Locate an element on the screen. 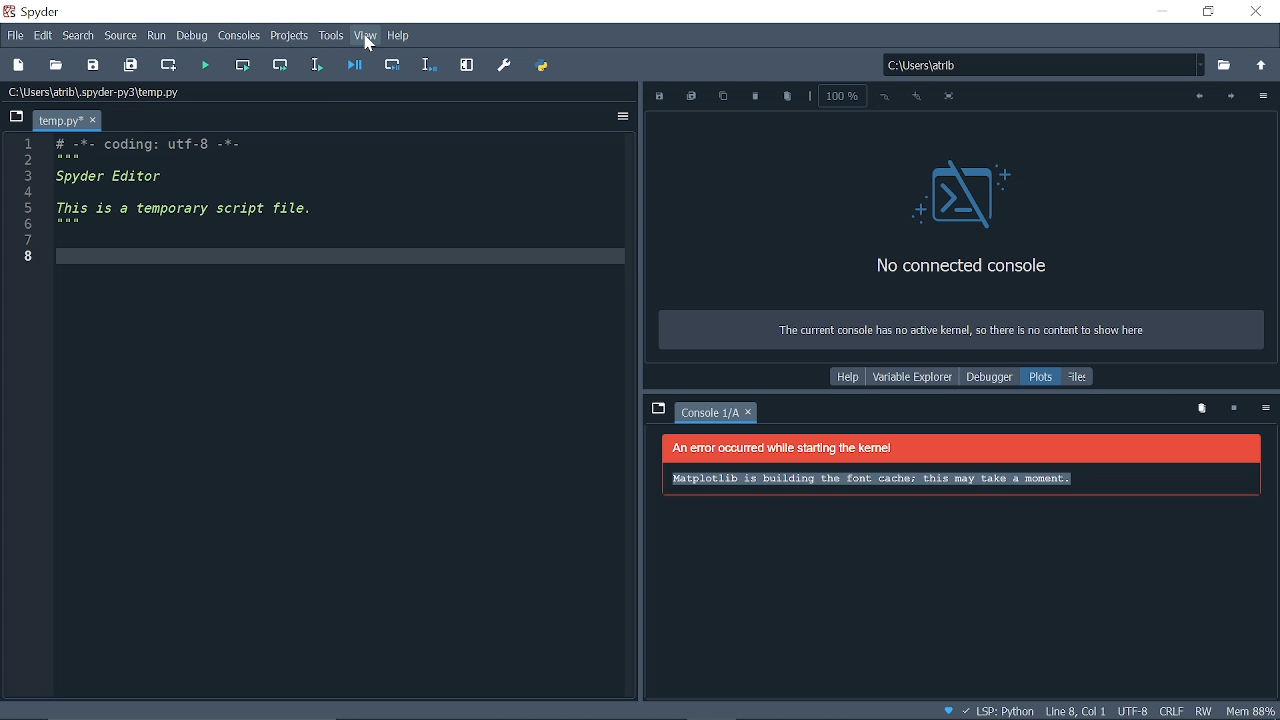 This screenshot has height=720, width=1280. Cursor position is located at coordinates (1075, 712).